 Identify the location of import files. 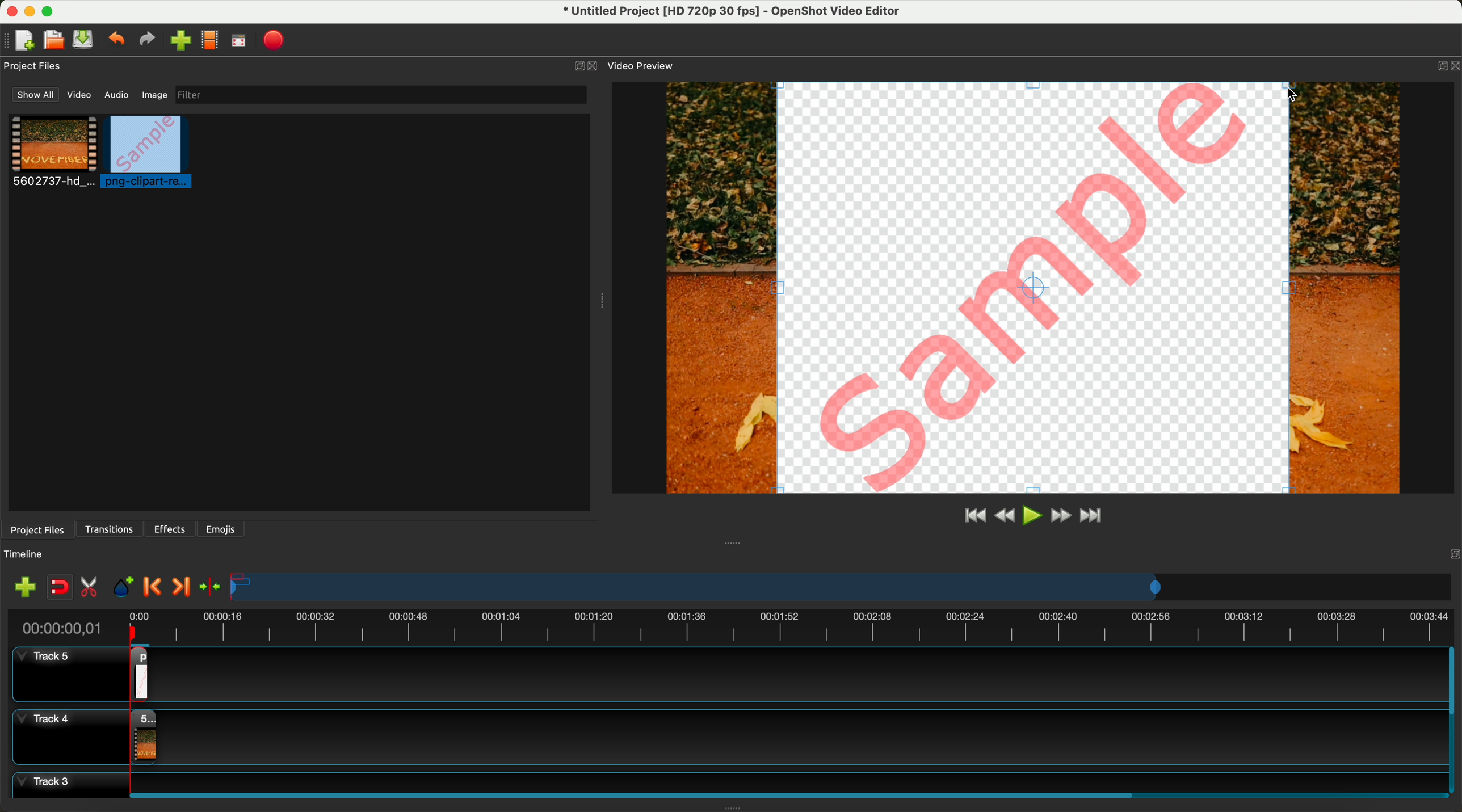
(22, 586).